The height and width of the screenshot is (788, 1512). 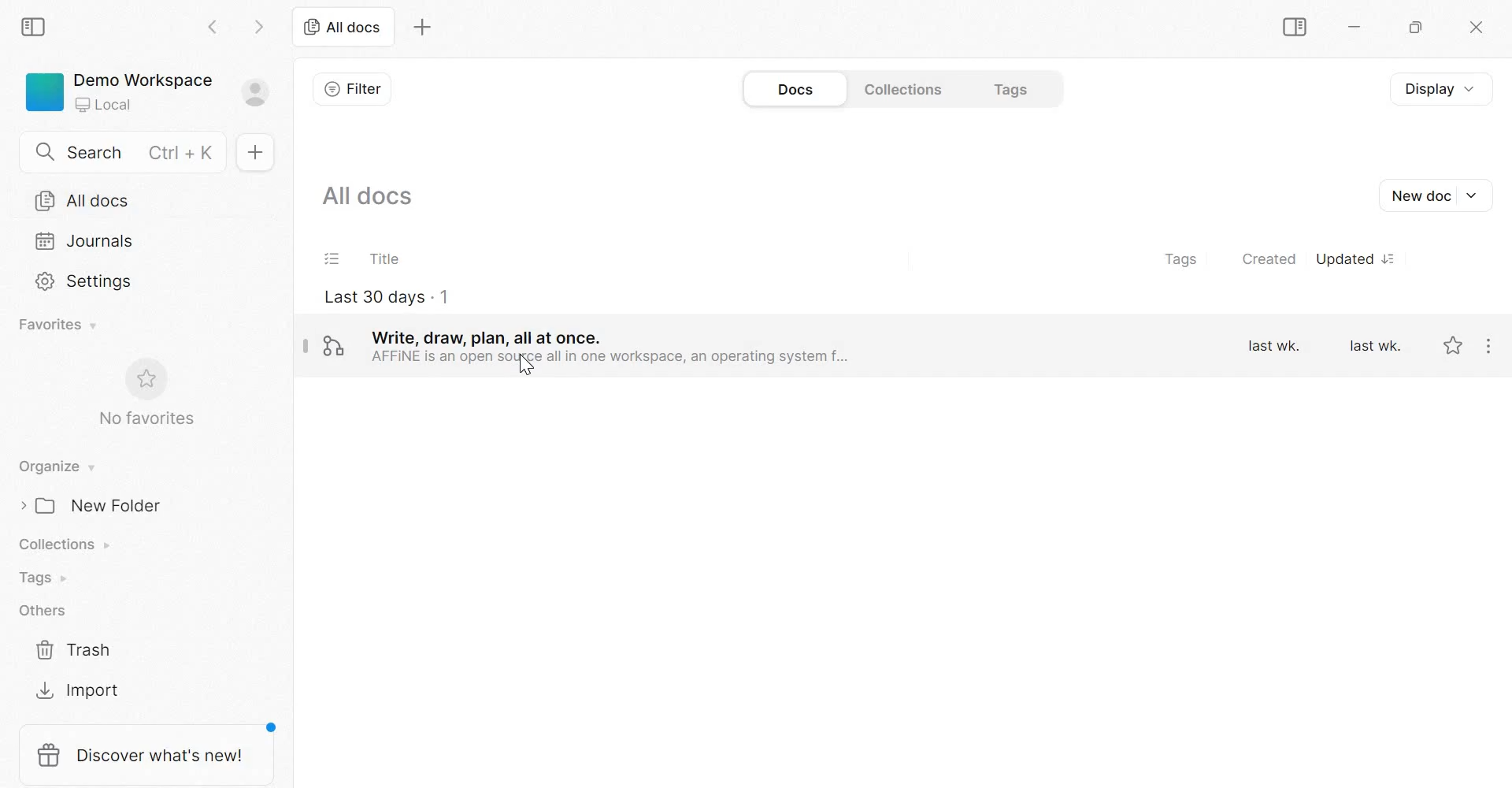 I want to click on discover what's new!, so click(x=145, y=755).